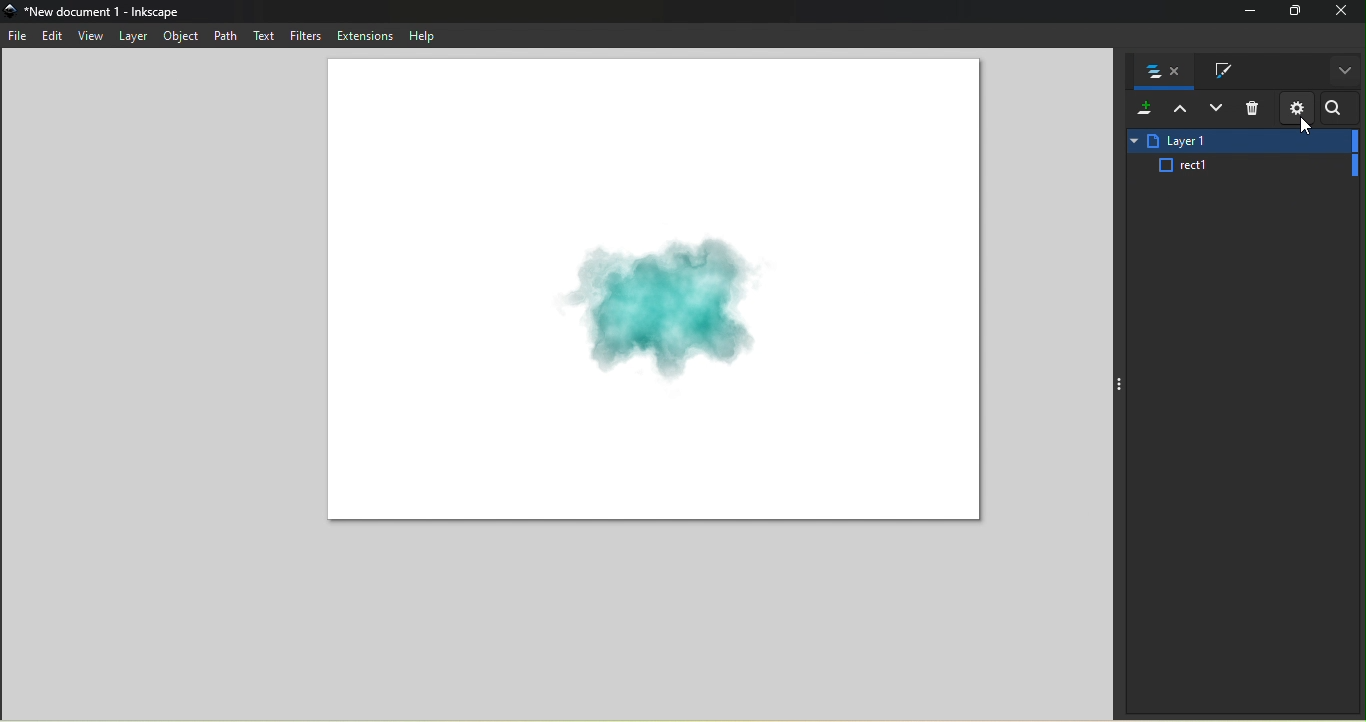 The width and height of the screenshot is (1366, 722). I want to click on Delete selected item, so click(1253, 110).